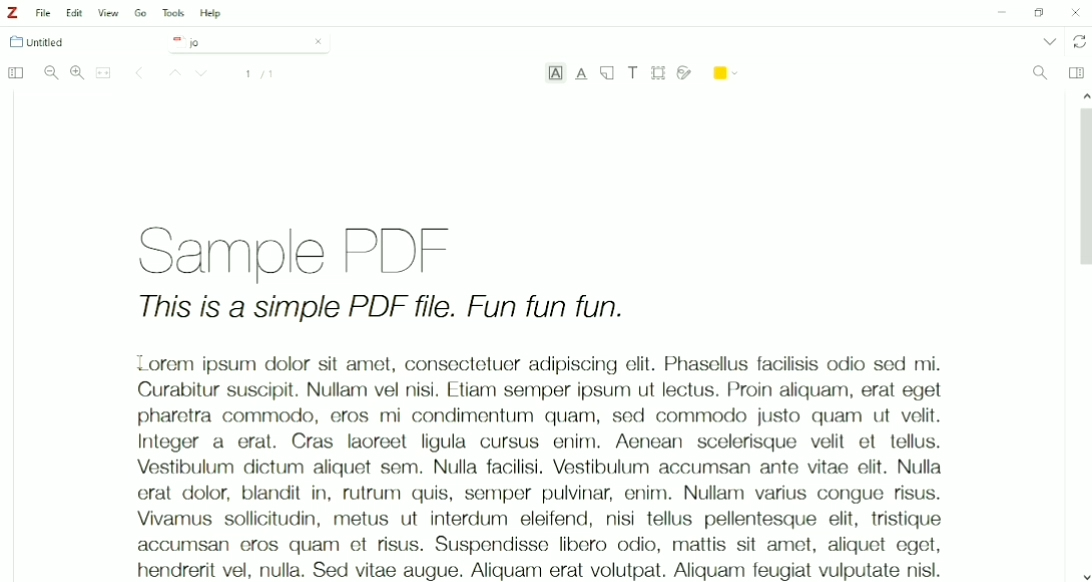  Describe the element at coordinates (1076, 72) in the screenshot. I see `Toggle Context Pane` at that location.